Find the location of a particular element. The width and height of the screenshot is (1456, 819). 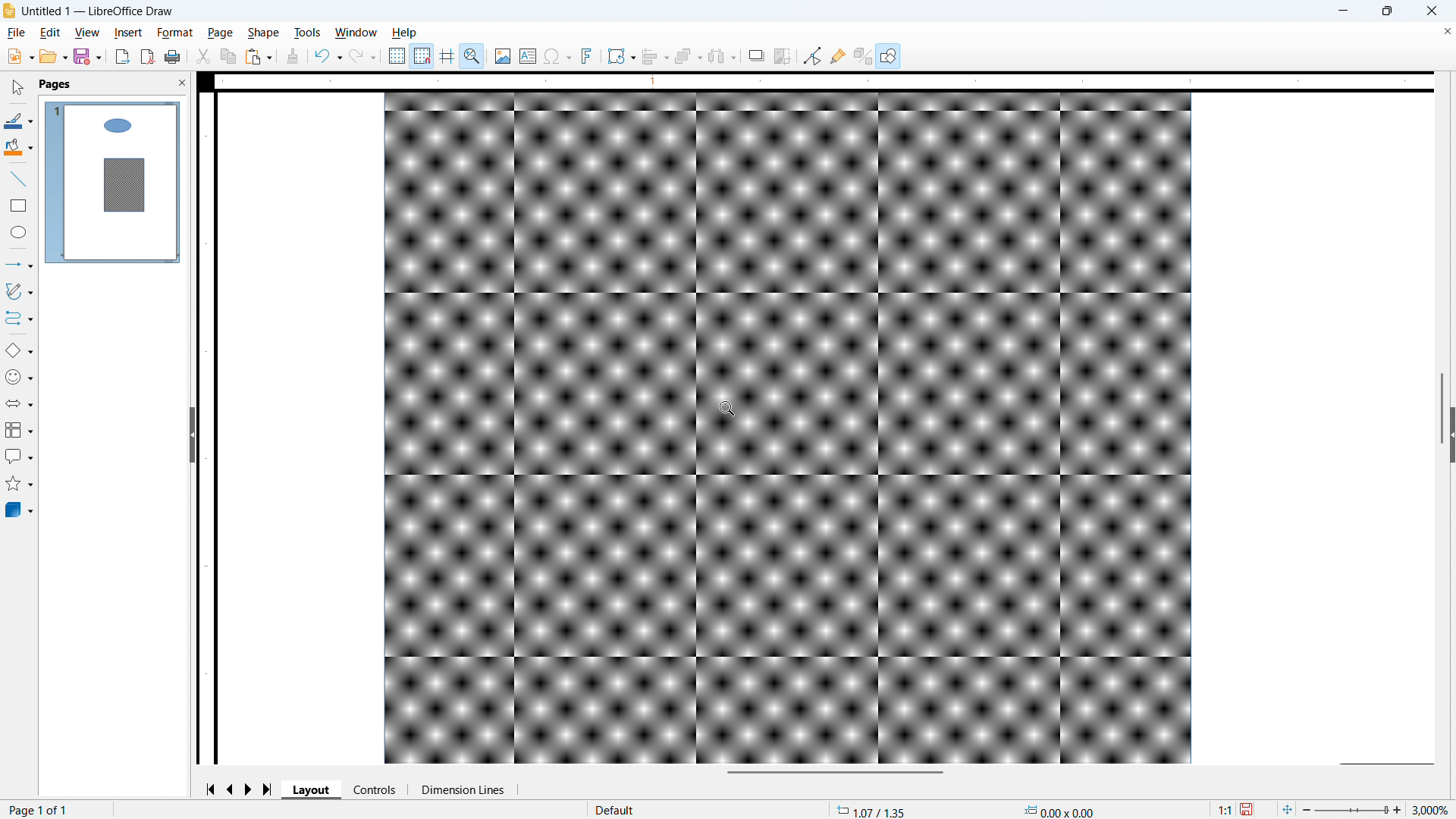

maximise  is located at coordinates (1386, 11).